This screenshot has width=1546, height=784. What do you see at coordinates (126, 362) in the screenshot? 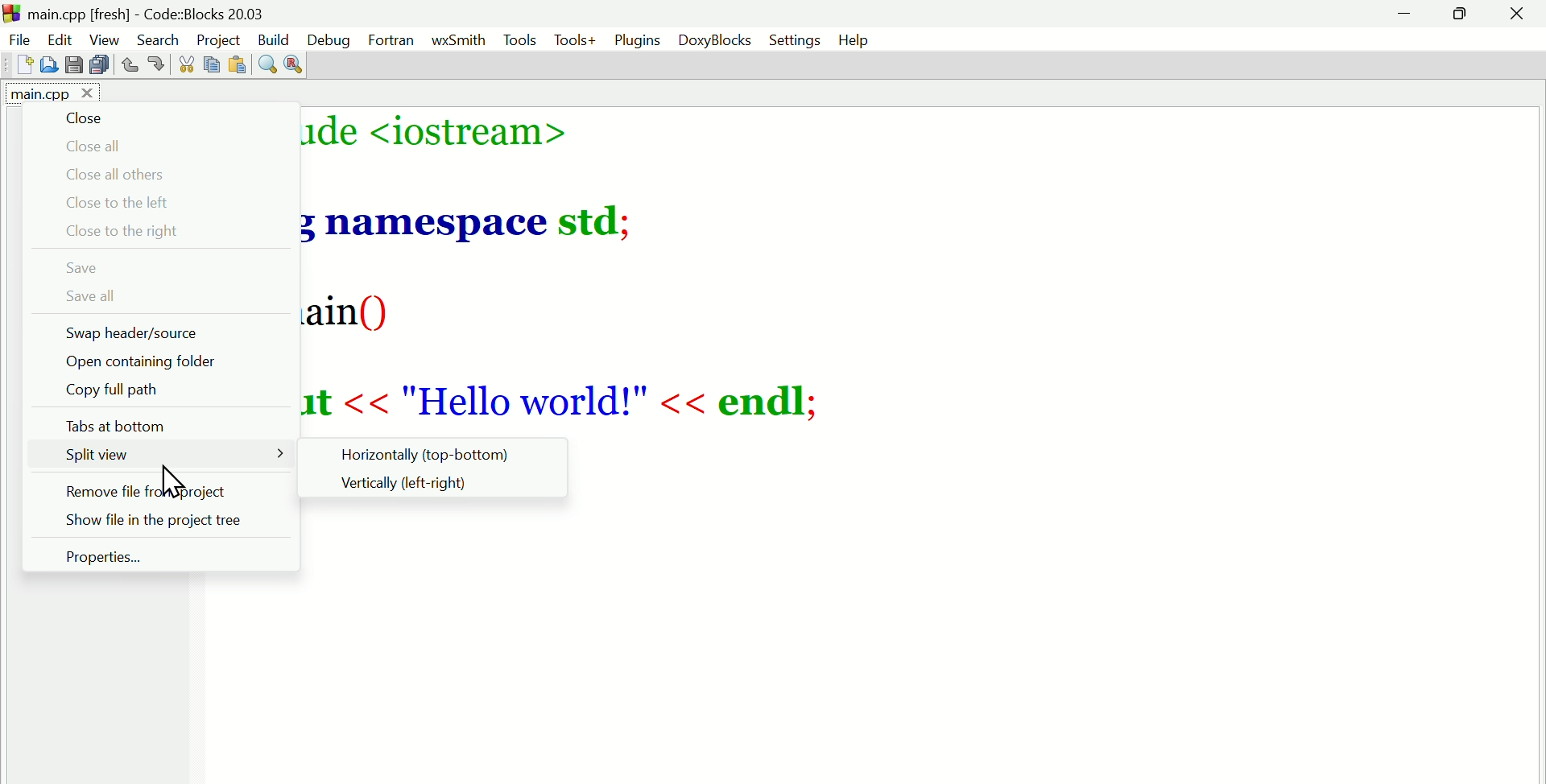
I see `Open containing folder` at bounding box center [126, 362].